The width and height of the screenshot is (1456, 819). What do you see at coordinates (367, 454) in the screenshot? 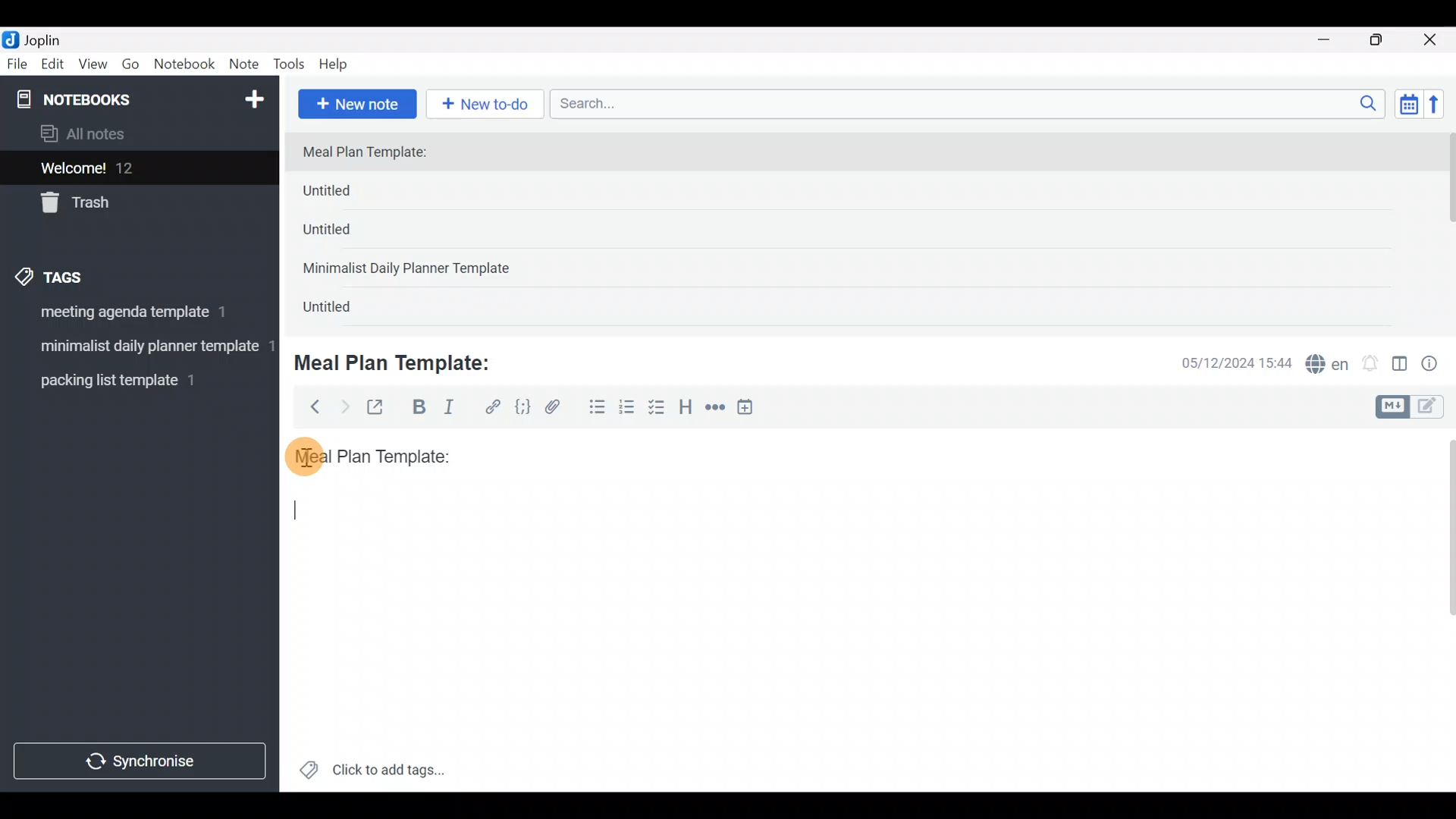
I see `Meal plan template` at bounding box center [367, 454].